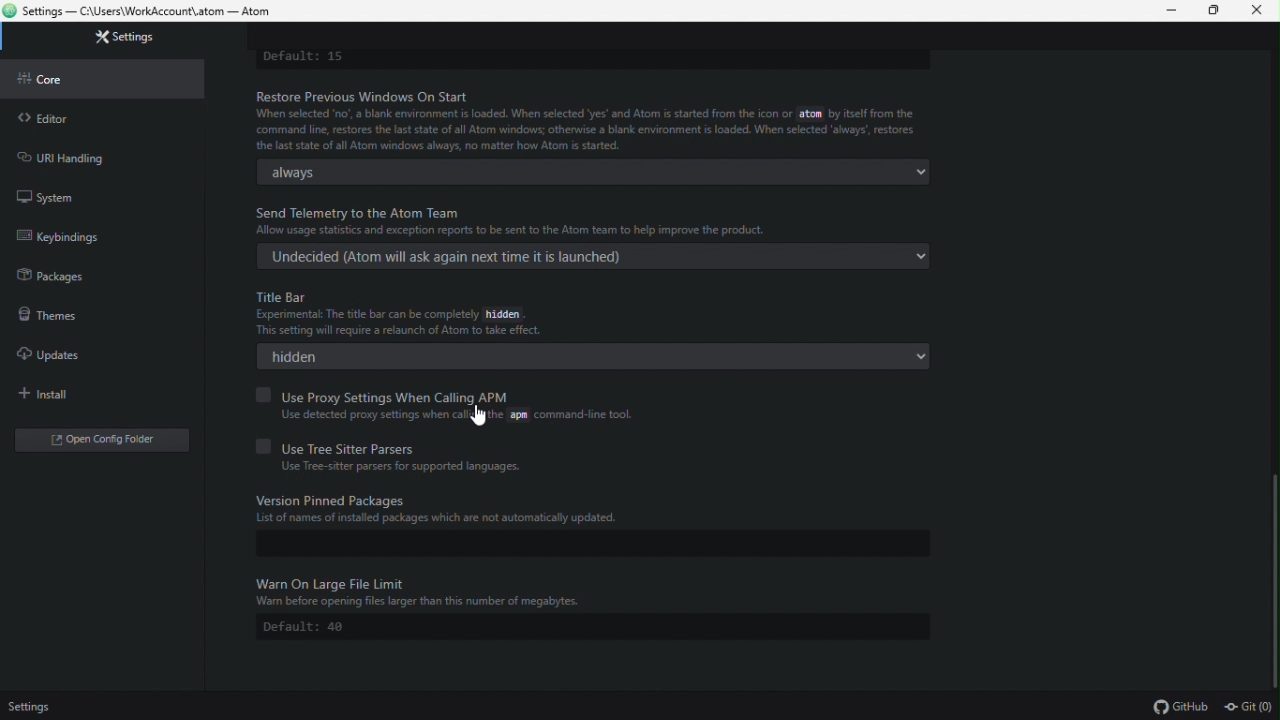  What do you see at coordinates (599, 355) in the screenshot?
I see `hidden` at bounding box center [599, 355].